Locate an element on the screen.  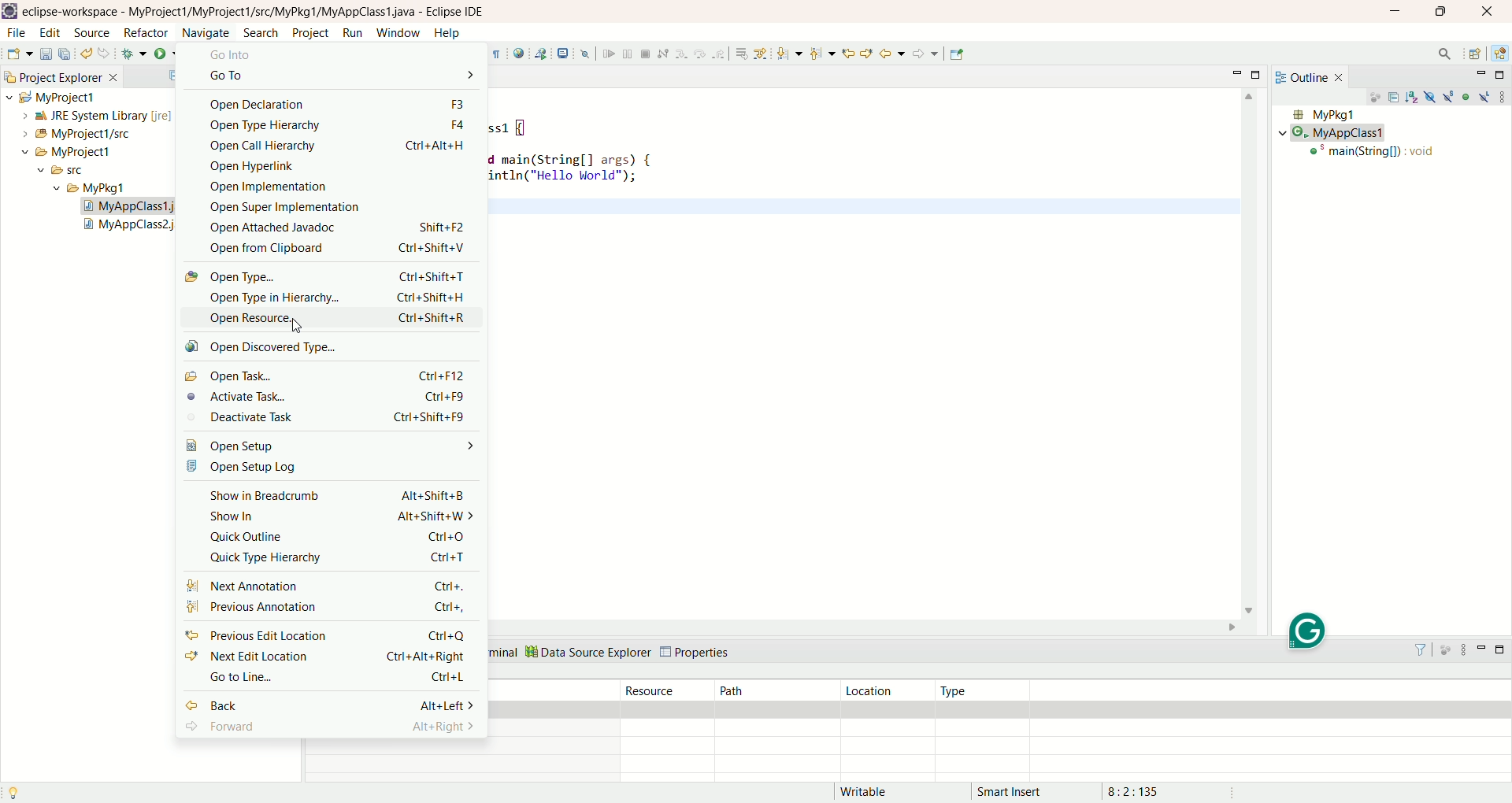
skip the breakpoints is located at coordinates (586, 55).